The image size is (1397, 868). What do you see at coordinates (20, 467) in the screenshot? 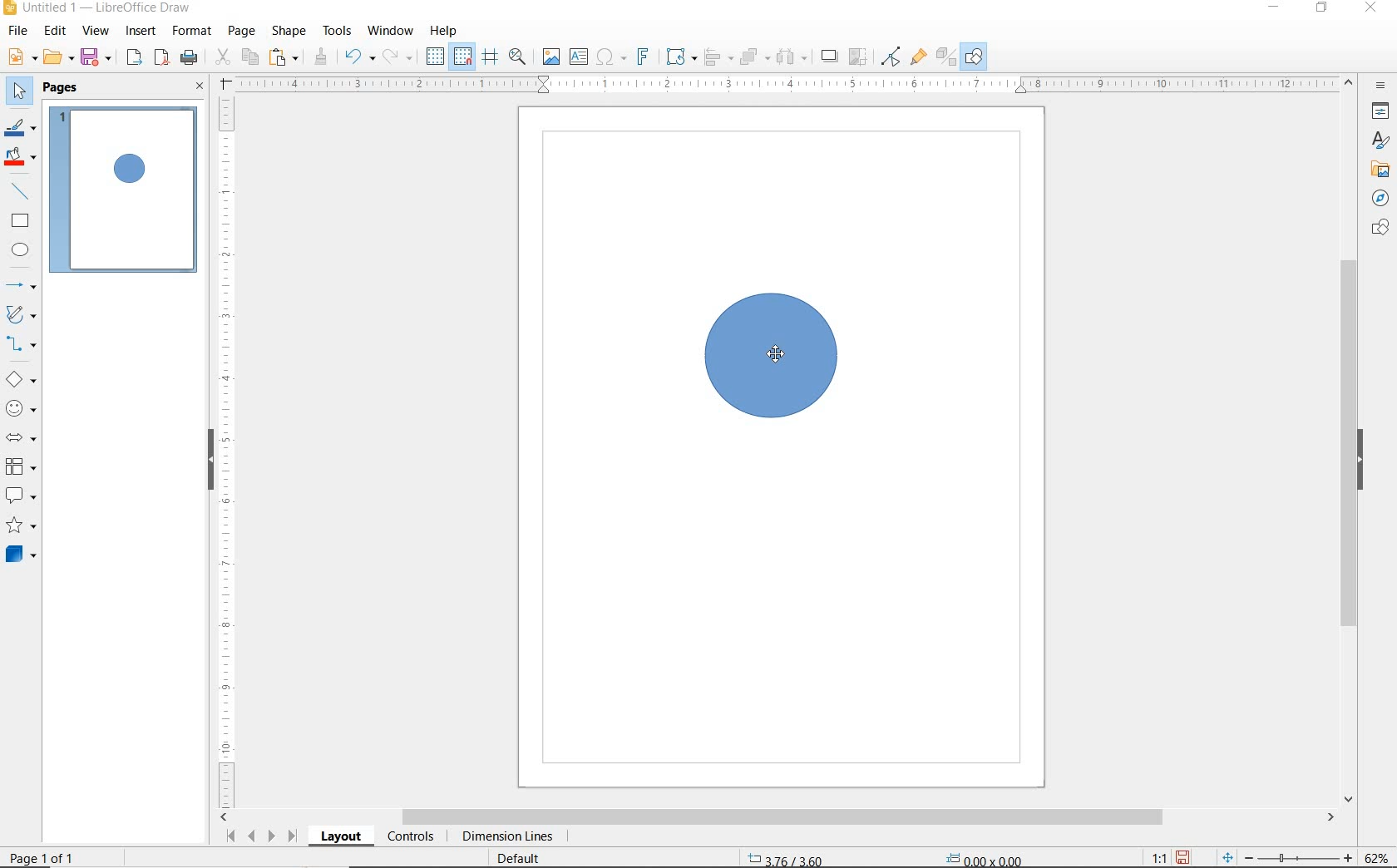
I see `FLOWCHART` at bounding box center [20, 467].